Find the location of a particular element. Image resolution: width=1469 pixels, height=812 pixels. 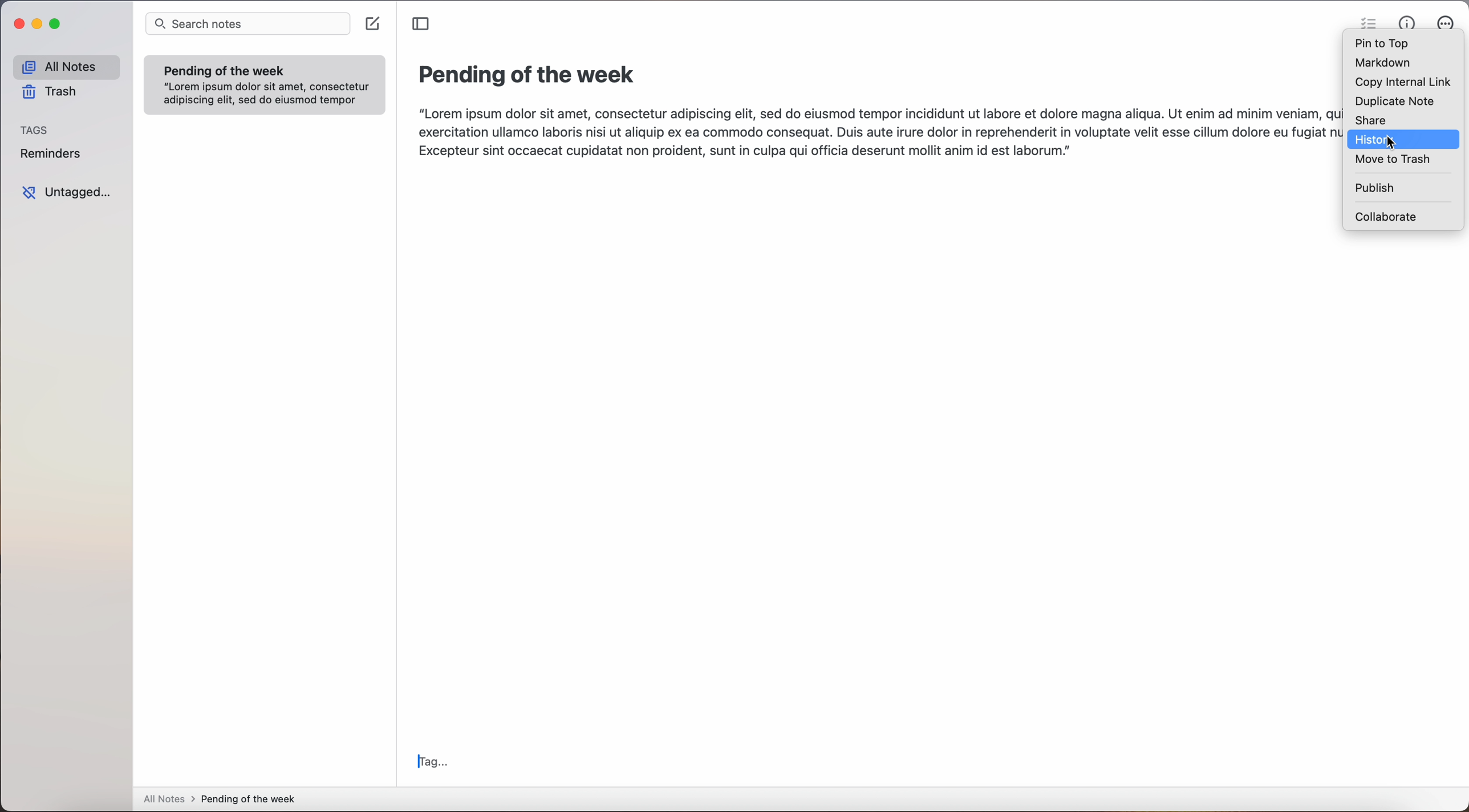

share is located at coordinates (1371, 121).